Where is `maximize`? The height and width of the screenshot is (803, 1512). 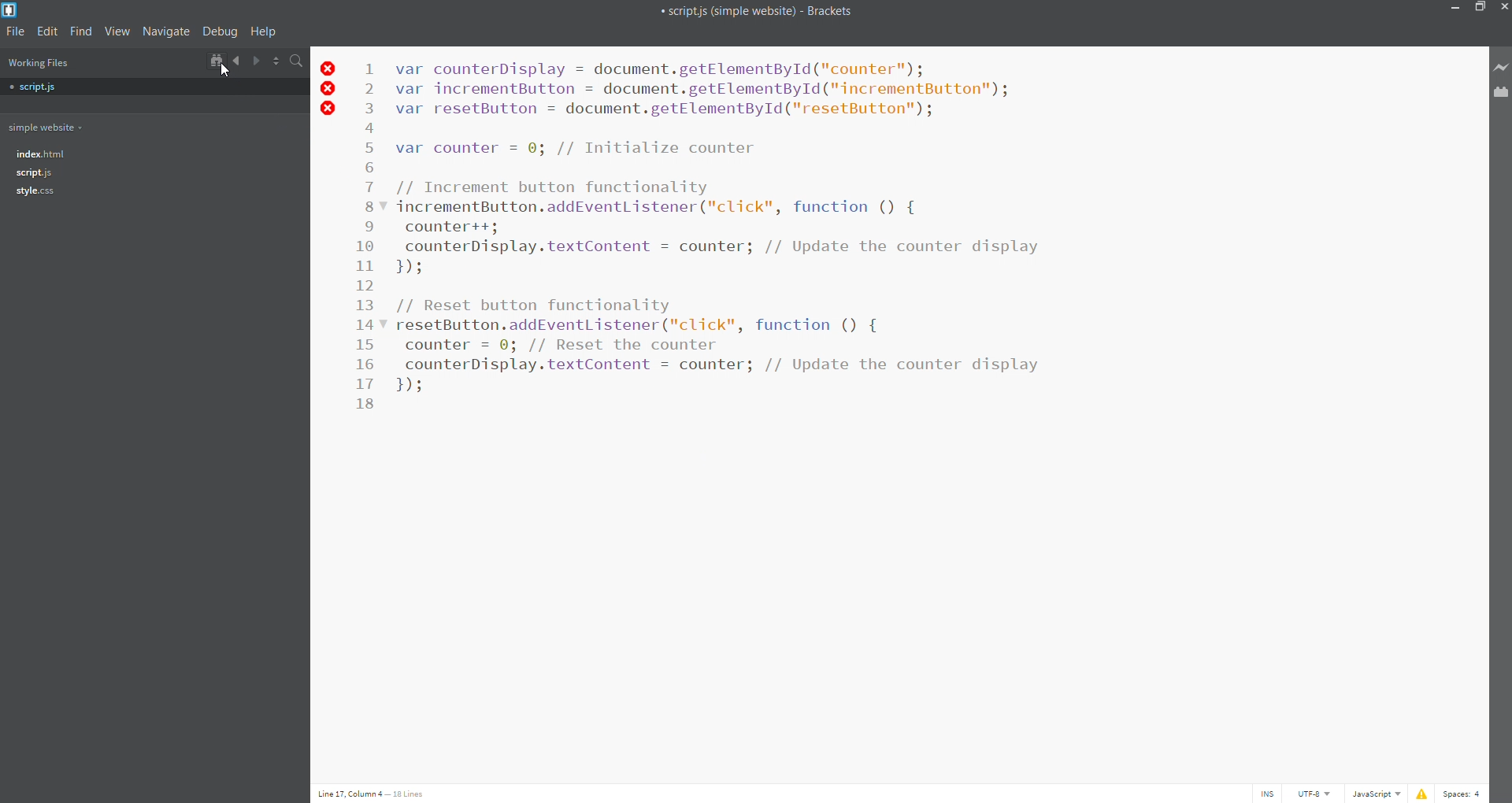 maximize is located at coordinates (1481, 8).